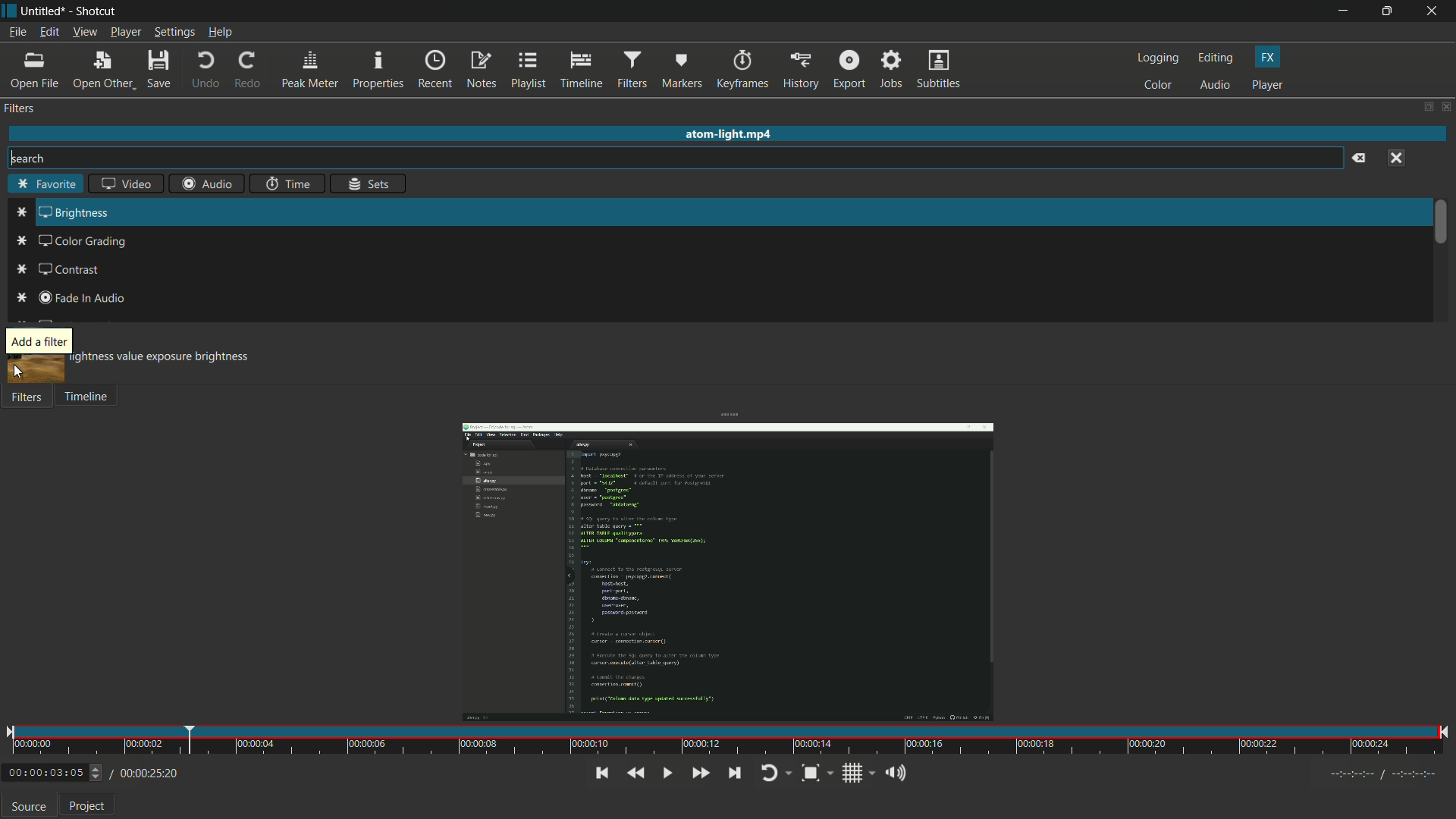  Describe the element at coordinates (17, 32) in the screenshot. I see `file menu` at that location.